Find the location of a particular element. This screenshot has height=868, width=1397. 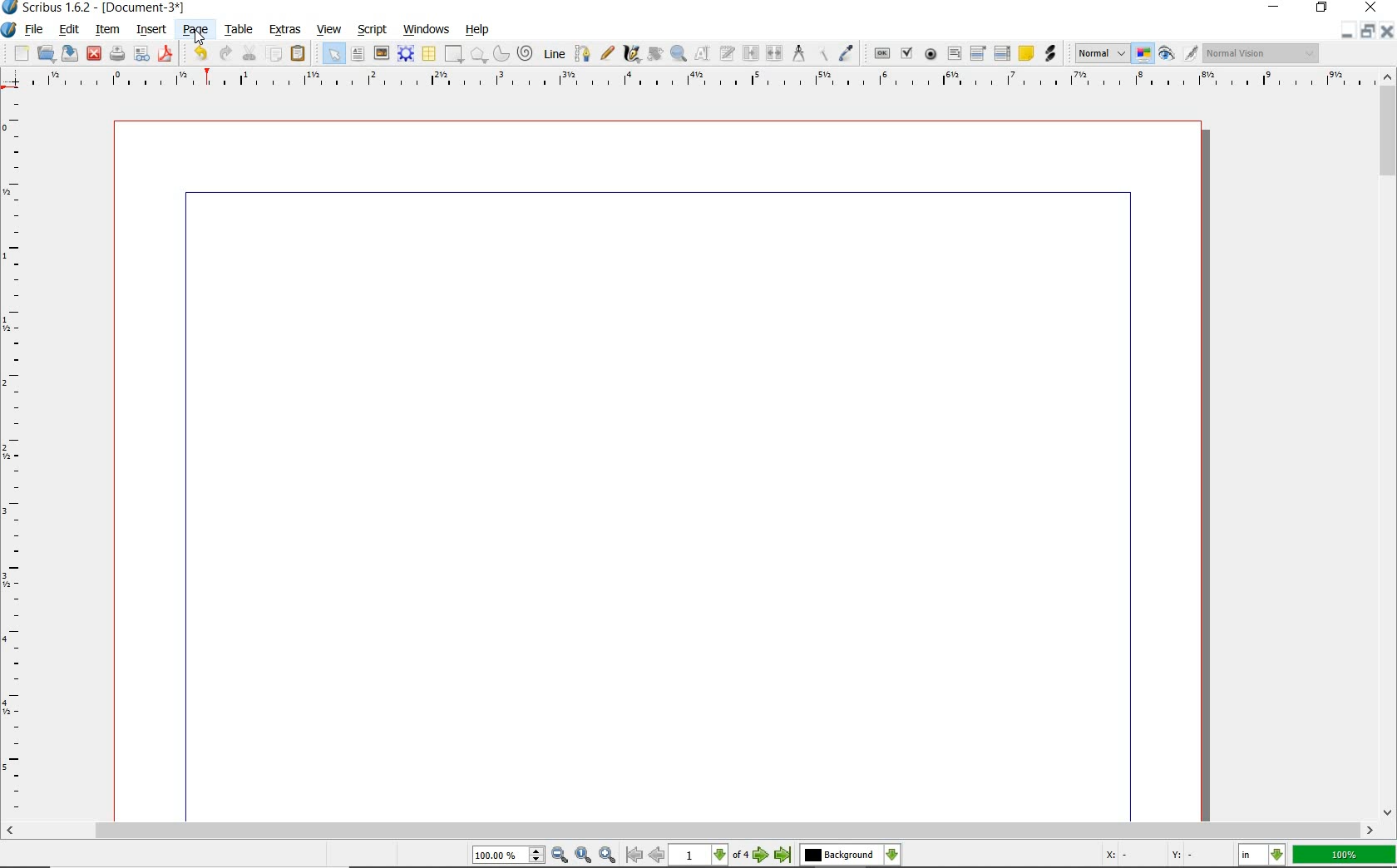

help is located at coordinates (476, 30).